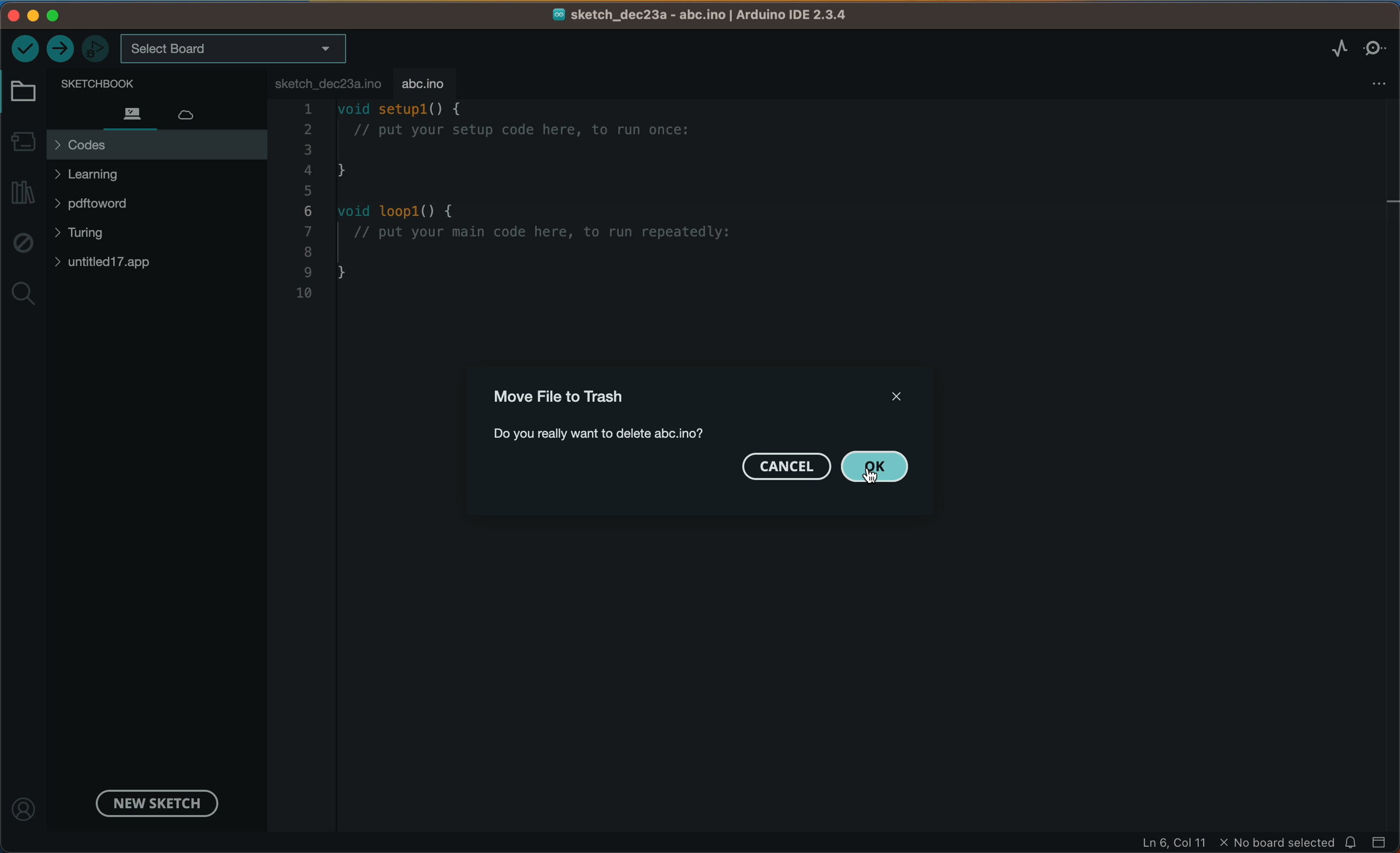 The height and width of the screenshot is (853, 1400). Describe the element at coordinates (160, 804) in the screenshot. I see `new sketch` at that location.